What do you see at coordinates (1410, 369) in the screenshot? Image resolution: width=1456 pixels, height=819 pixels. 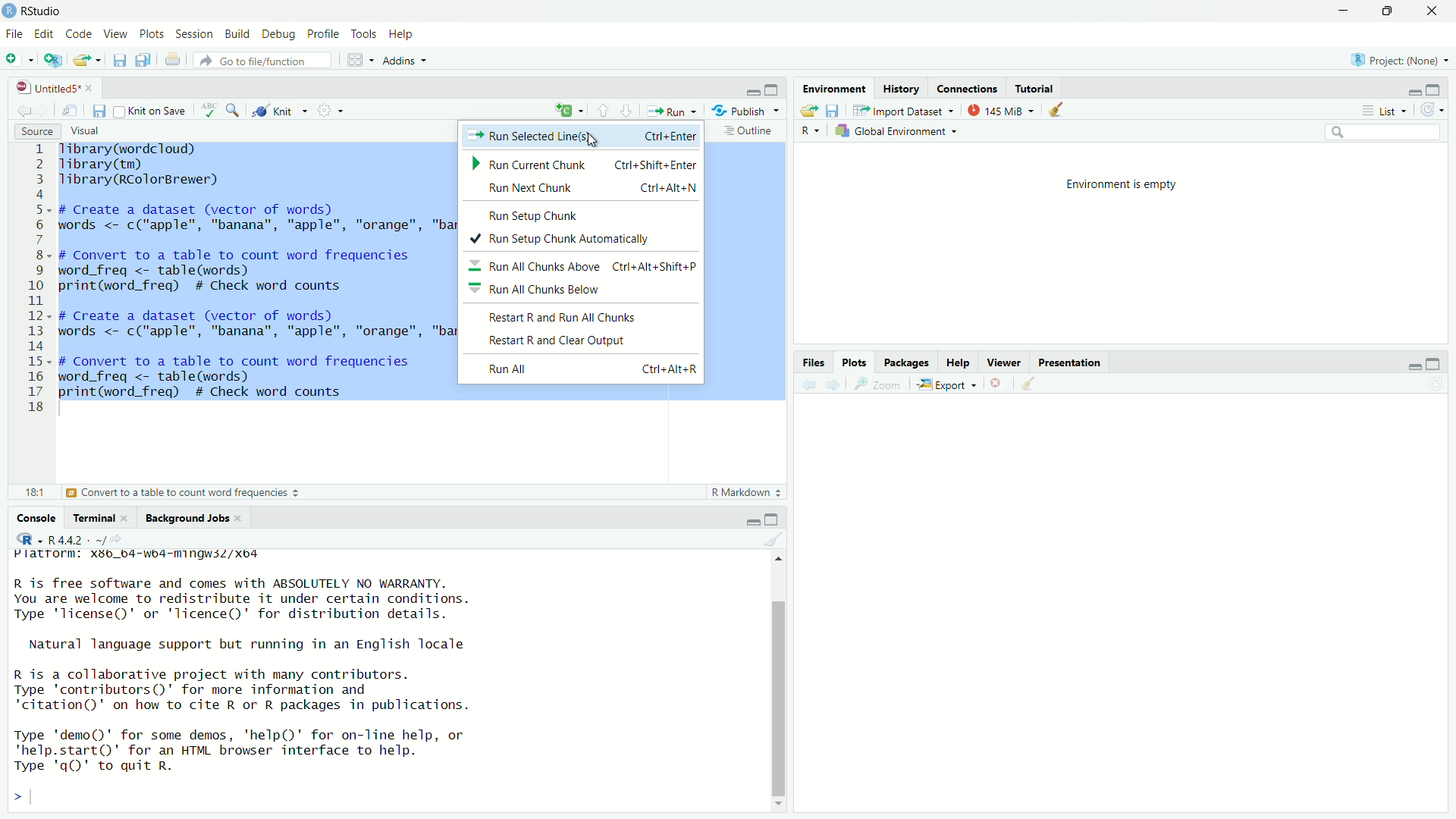 I see `Minimize` at bounding box center [1410, 369].